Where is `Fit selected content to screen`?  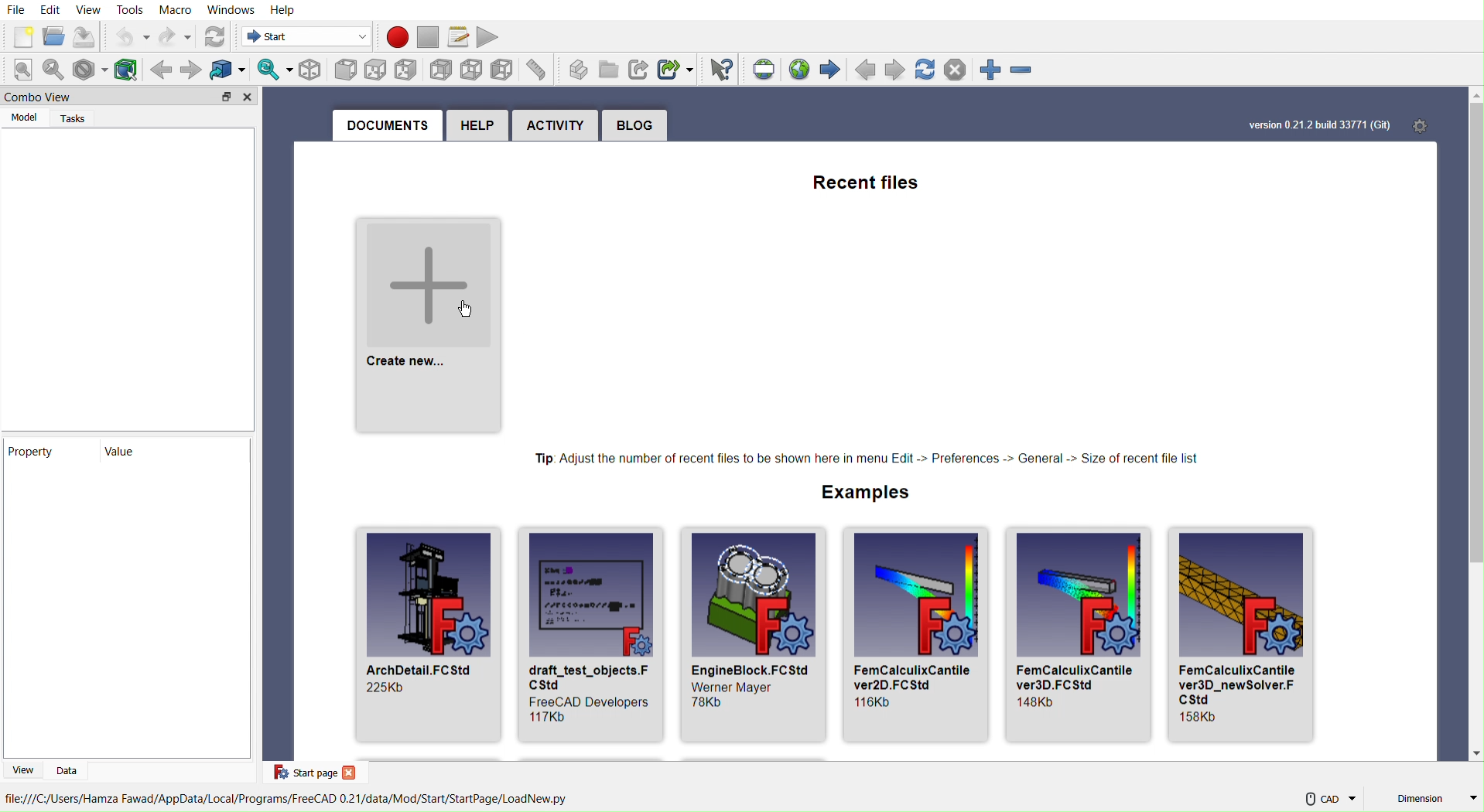 Fit selected content to screen is located at coordinates (56, 71).